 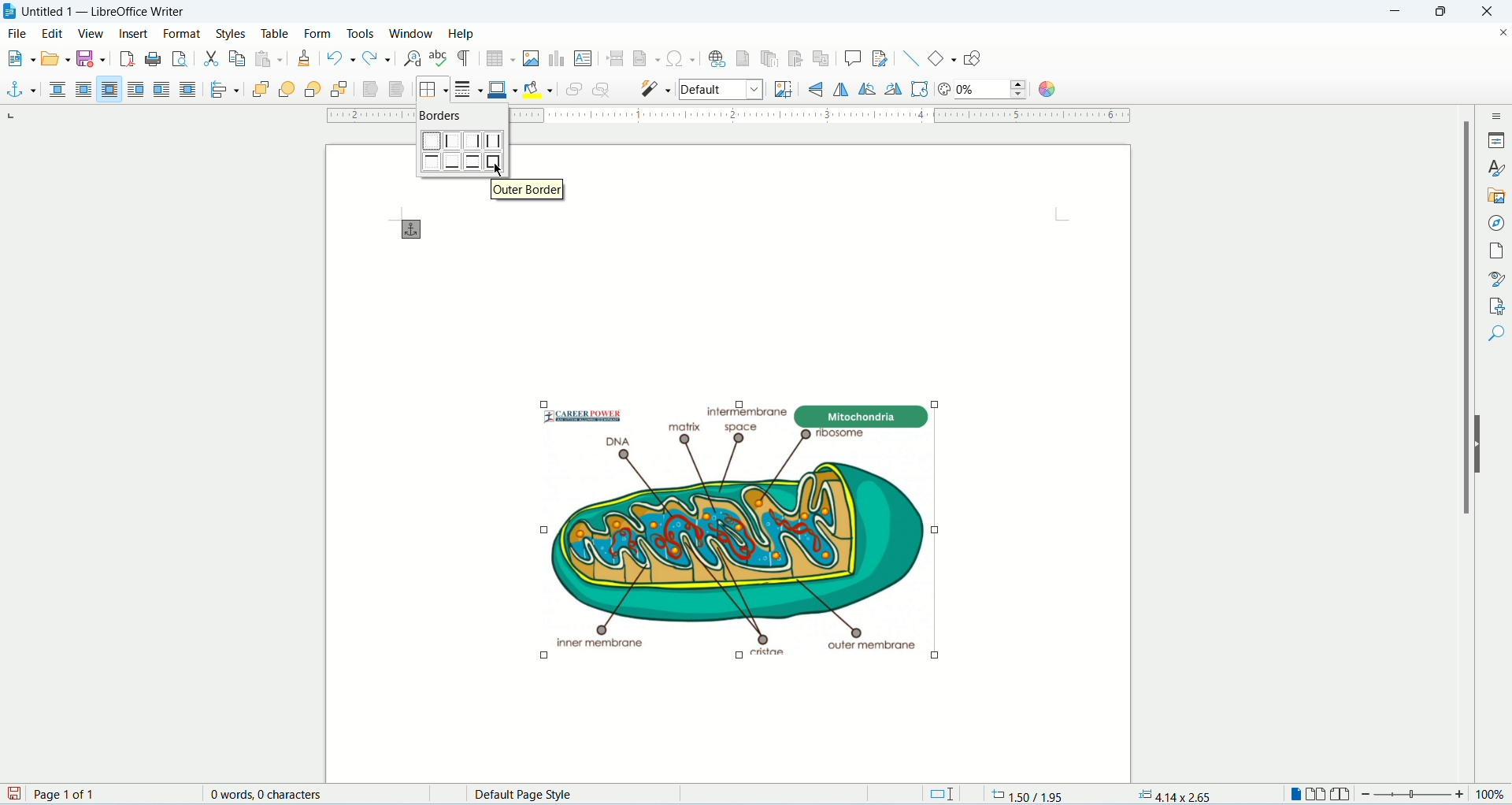 I want to click on flip horizontally, so click(x=821, y=88).